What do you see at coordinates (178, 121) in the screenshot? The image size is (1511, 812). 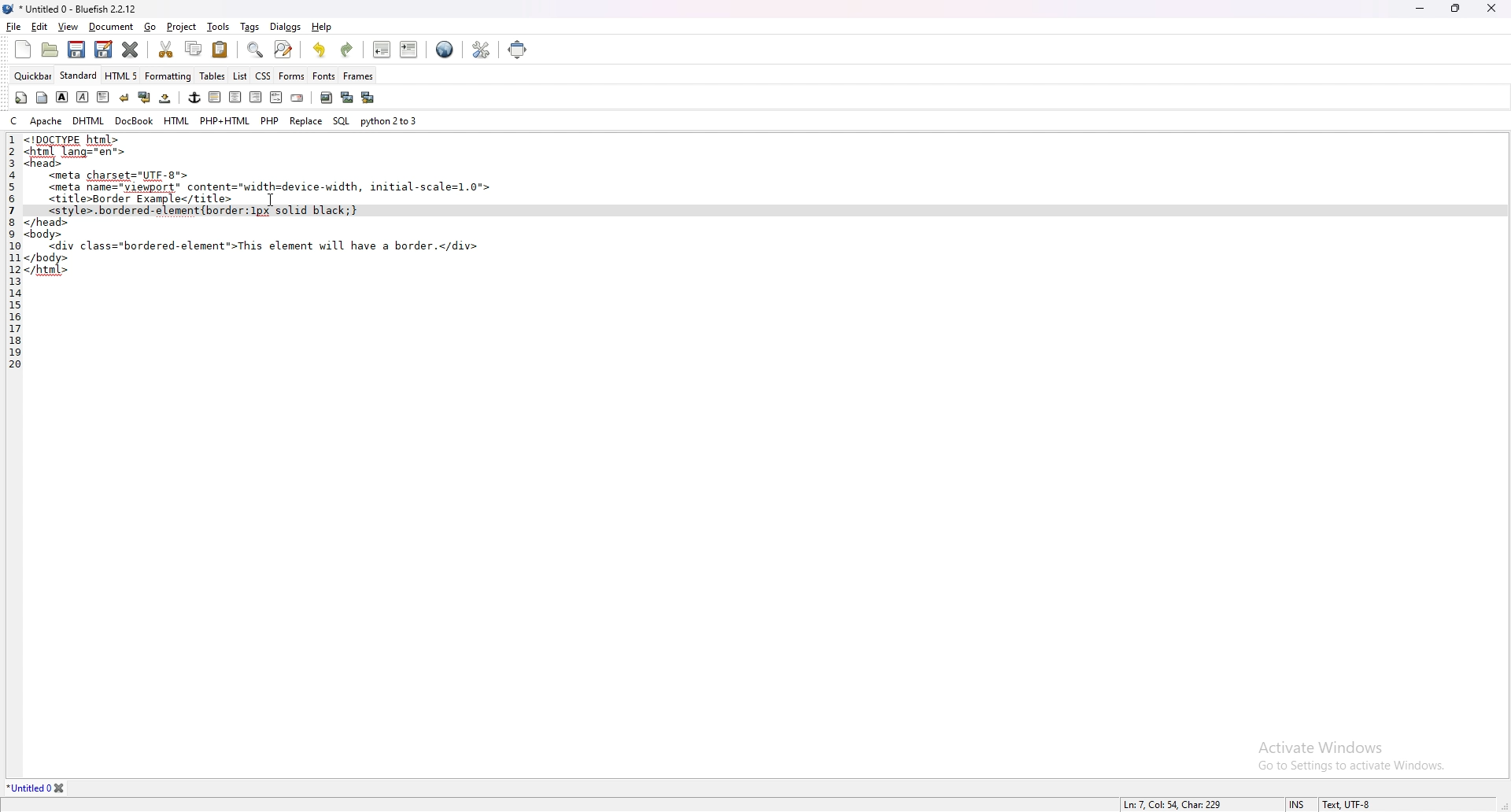 I see `html` at bounding box center [178, 121].